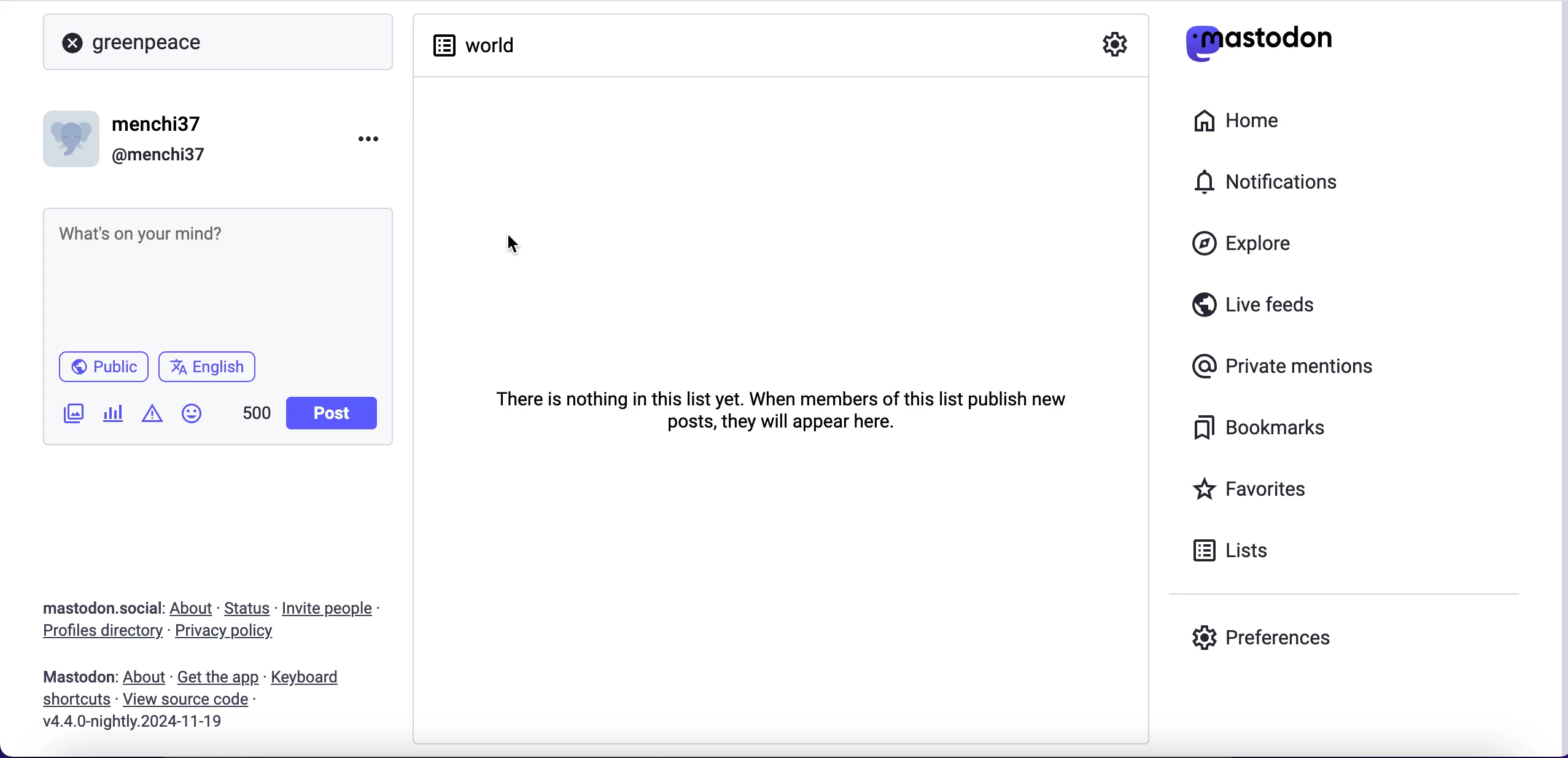 This screenshot has width=1568, height=758. What do you see at coordinates (72, 700) in the screenshot?
I see `shortcuts` at bounding box center [72, 700].